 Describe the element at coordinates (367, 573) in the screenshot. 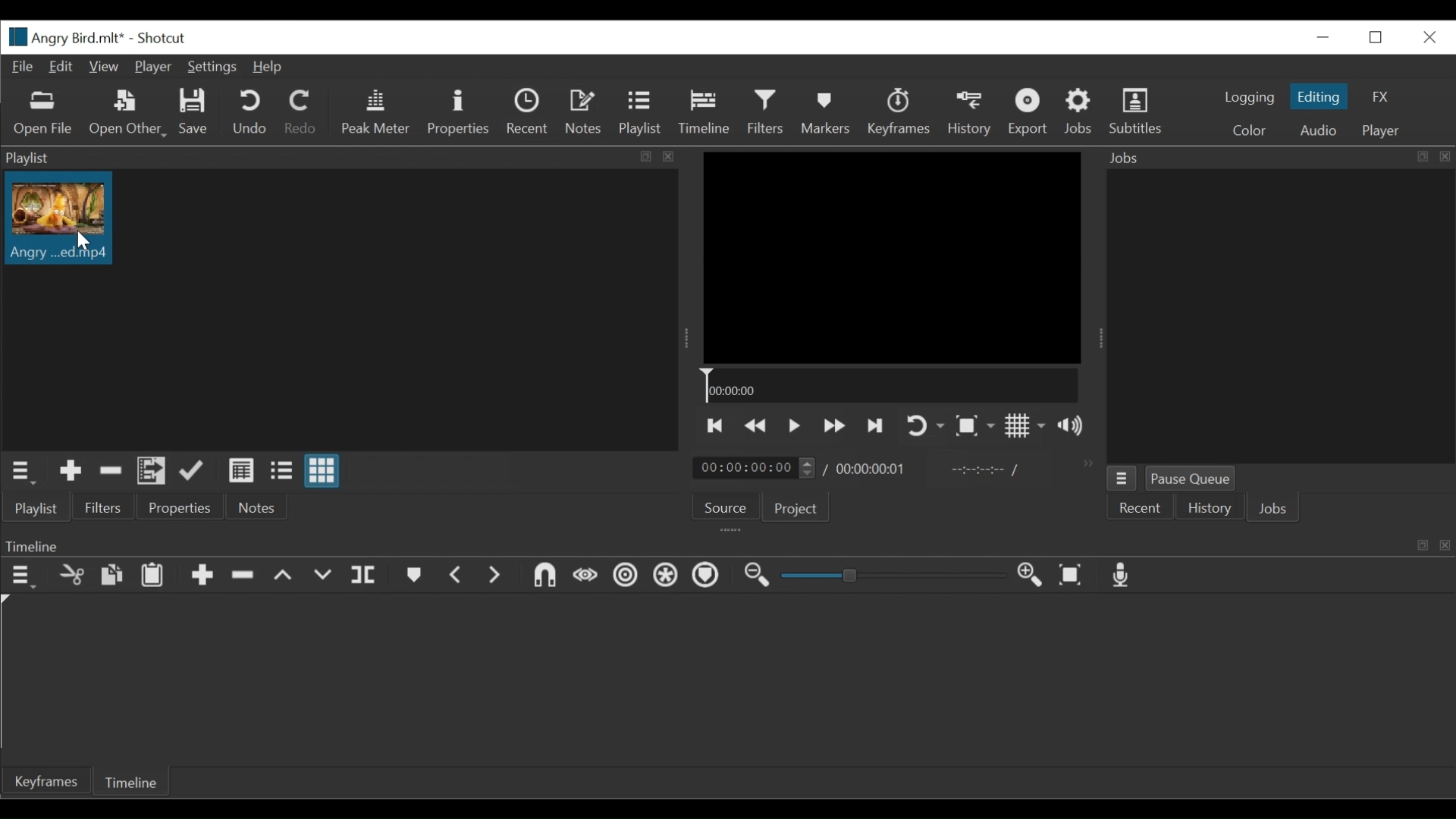

I see `split` at that location.